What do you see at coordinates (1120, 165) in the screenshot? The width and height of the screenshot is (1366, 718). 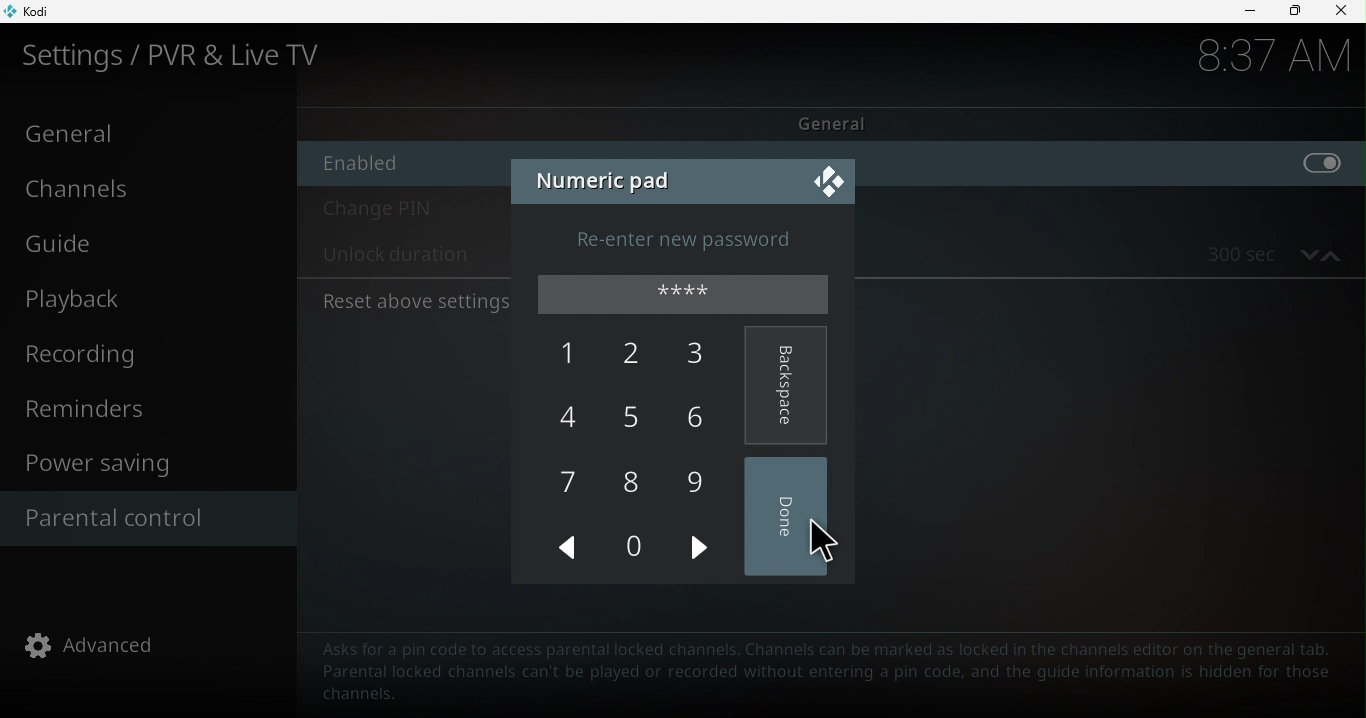 I see `enable` at bounding box center [1120, 165].